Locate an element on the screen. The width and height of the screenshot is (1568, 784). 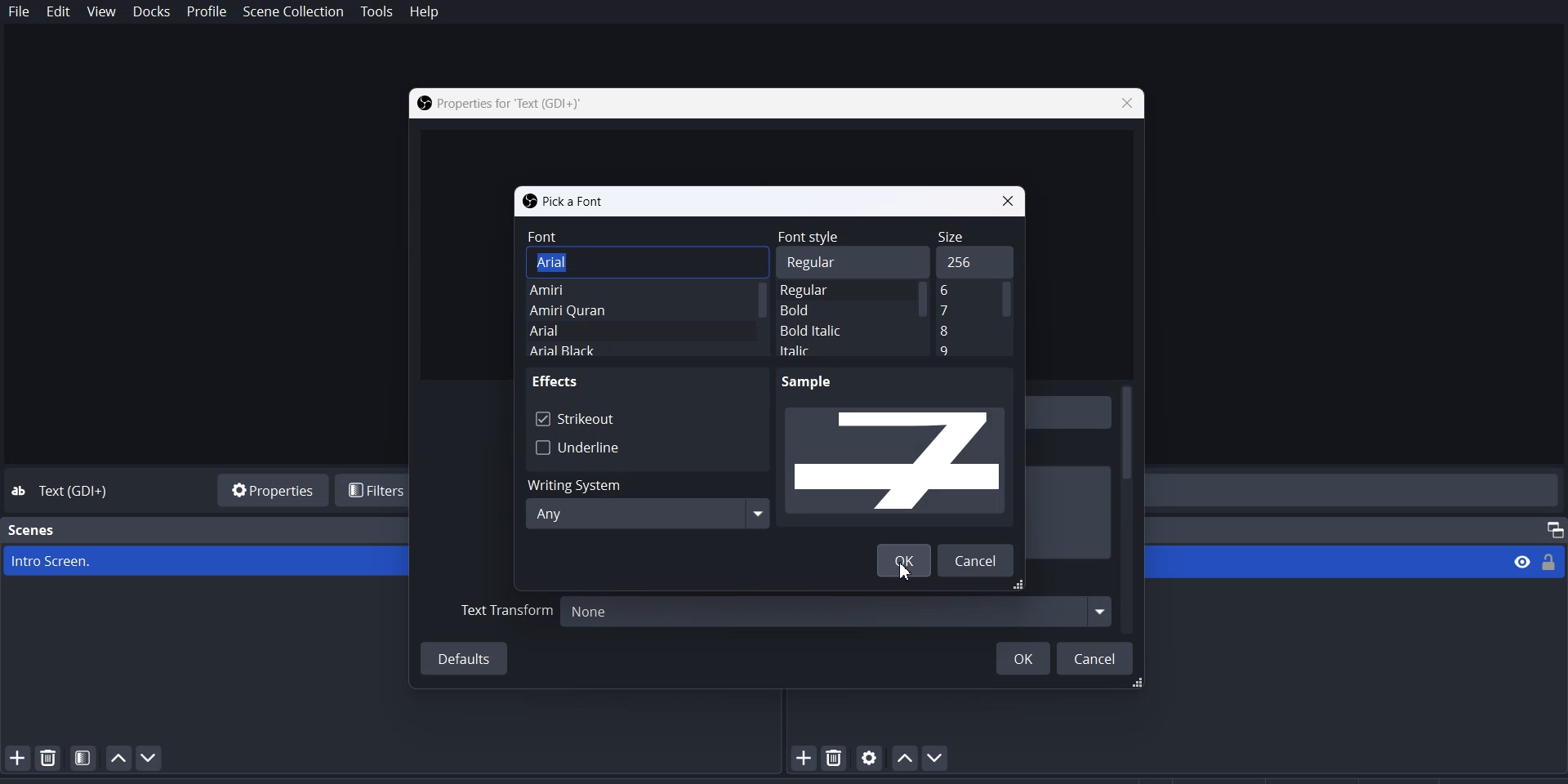
Bold Italic is located at coordinates (822, 330).